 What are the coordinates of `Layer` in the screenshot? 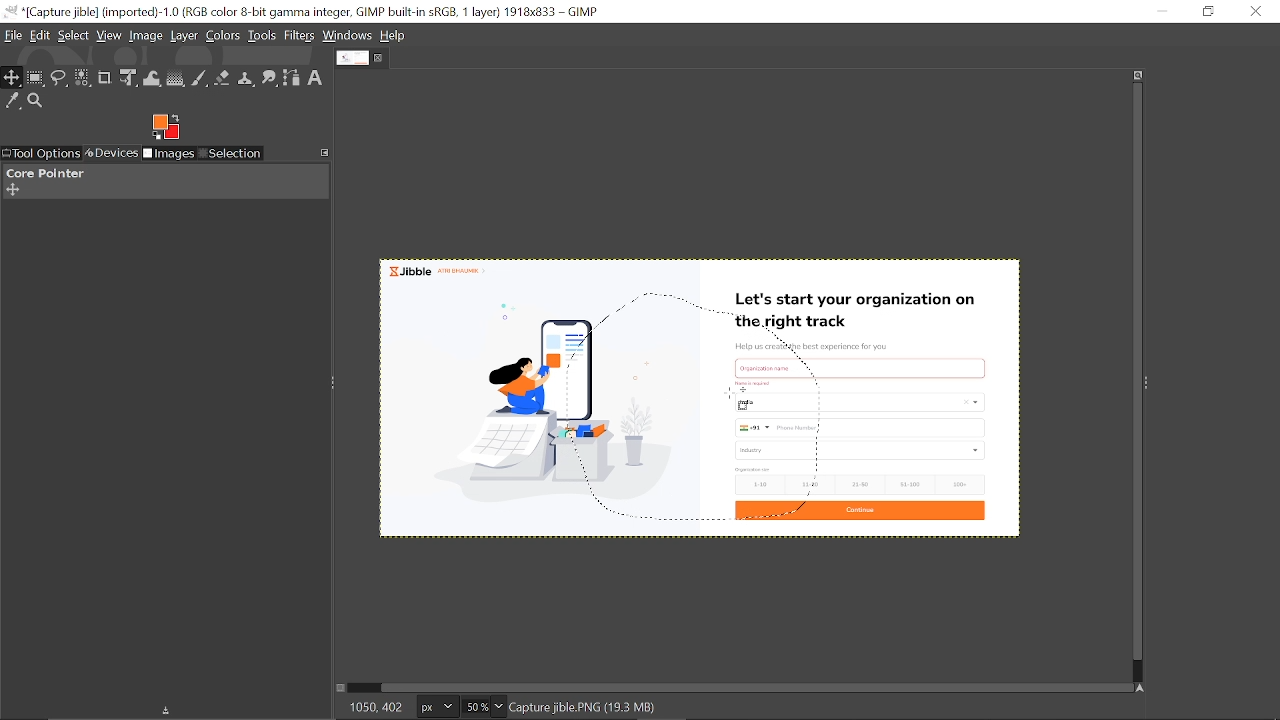 It's located at (184, 37).